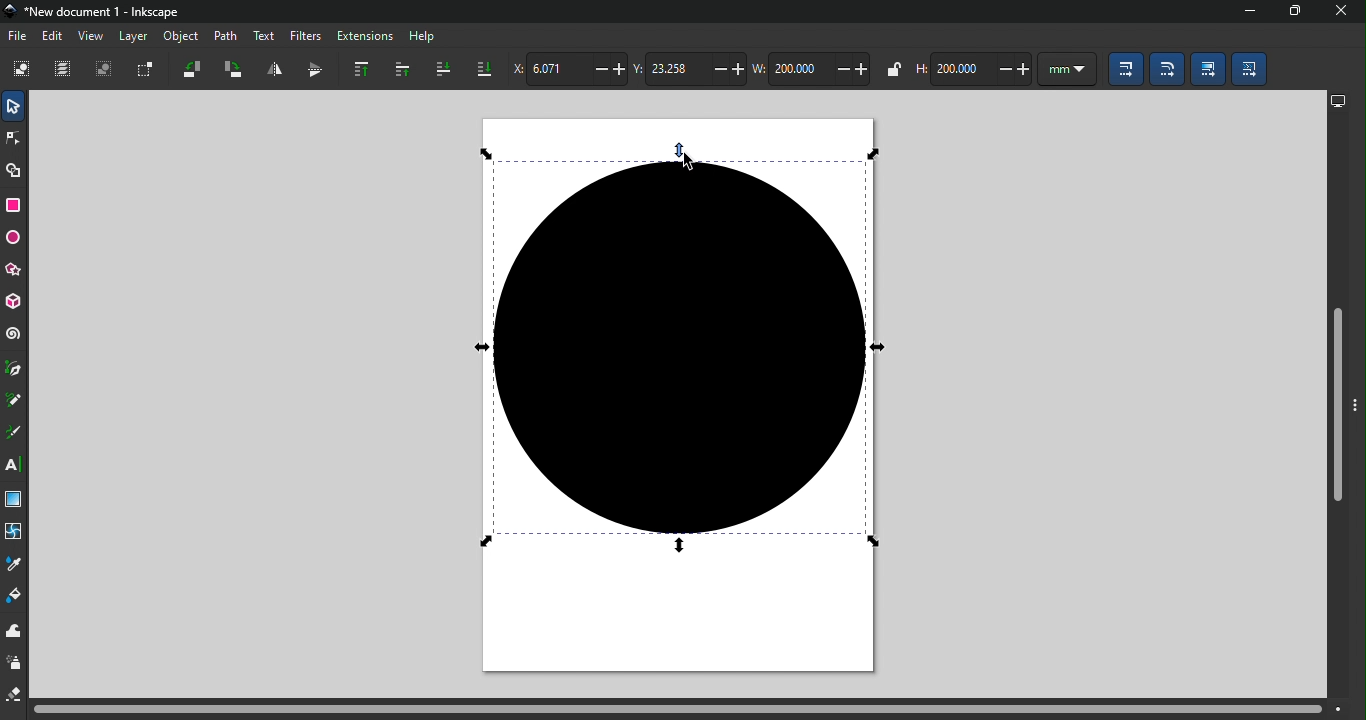 Image resolution: width=1366 pixels, height=720 pixels. Describe the element at coordinates (571, 70) in the screenshot. I see `Horizontal coordinate of selection` at that location.